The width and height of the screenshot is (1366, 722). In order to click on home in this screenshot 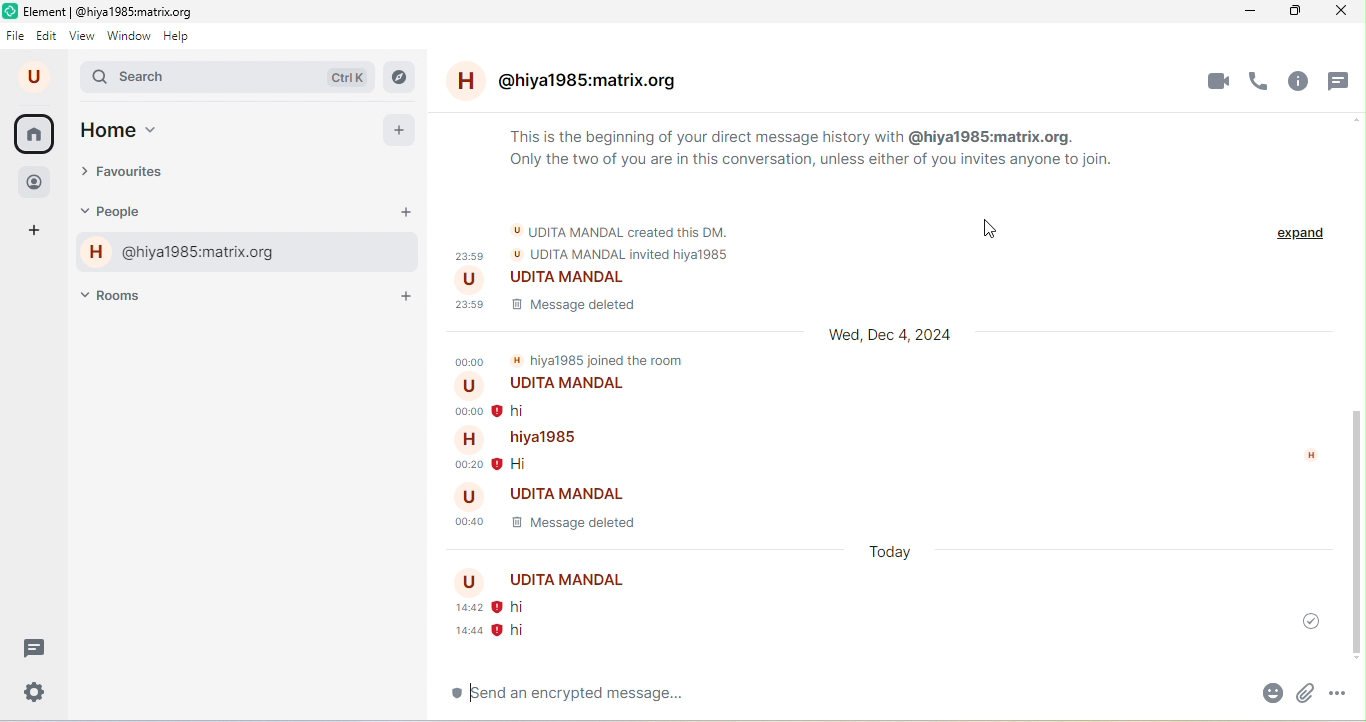, I will do `click(142, 132)`.